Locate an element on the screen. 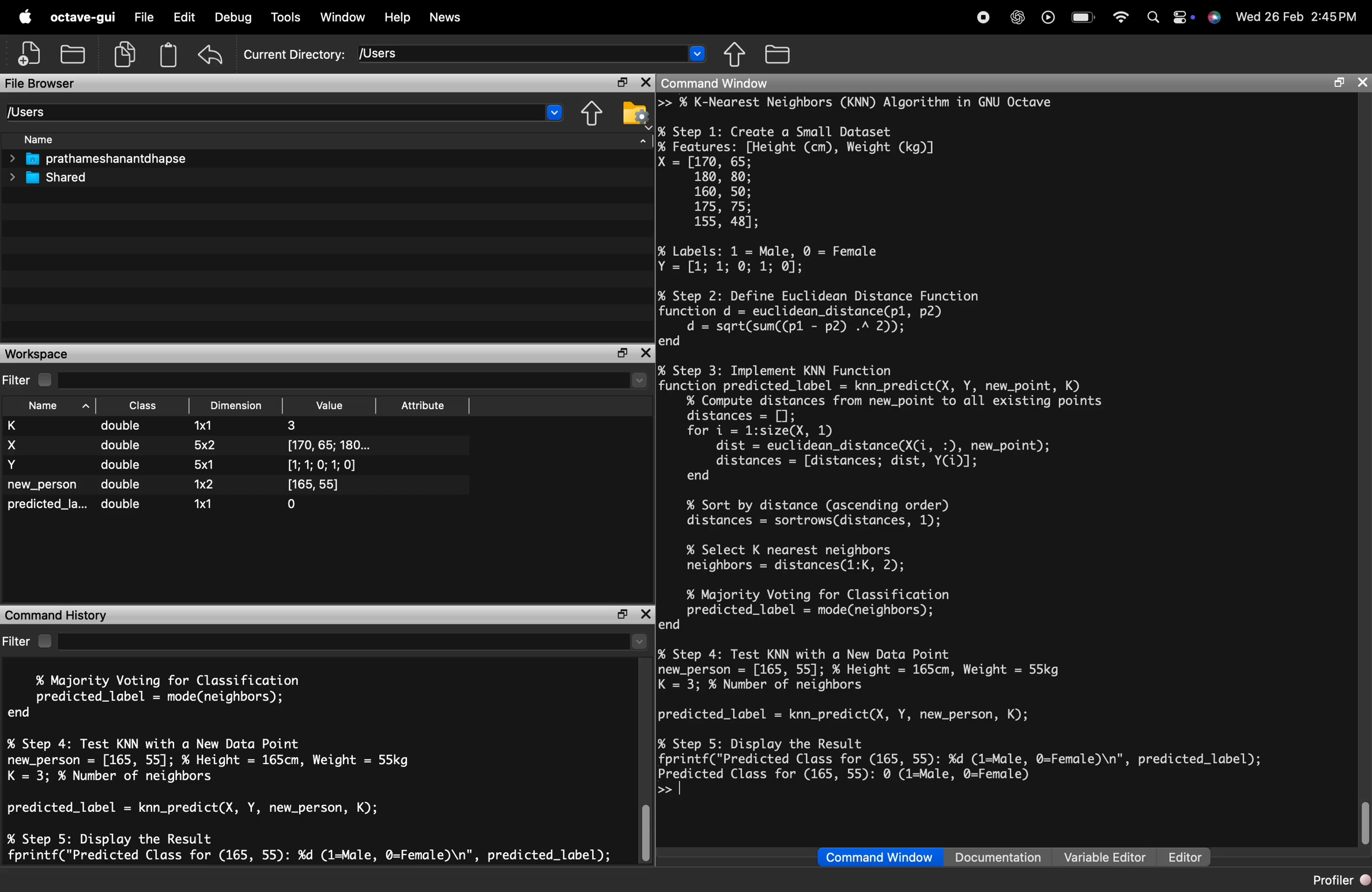 This screenshot has height=892, width=1372. Users is located at coordinates (38, 109).